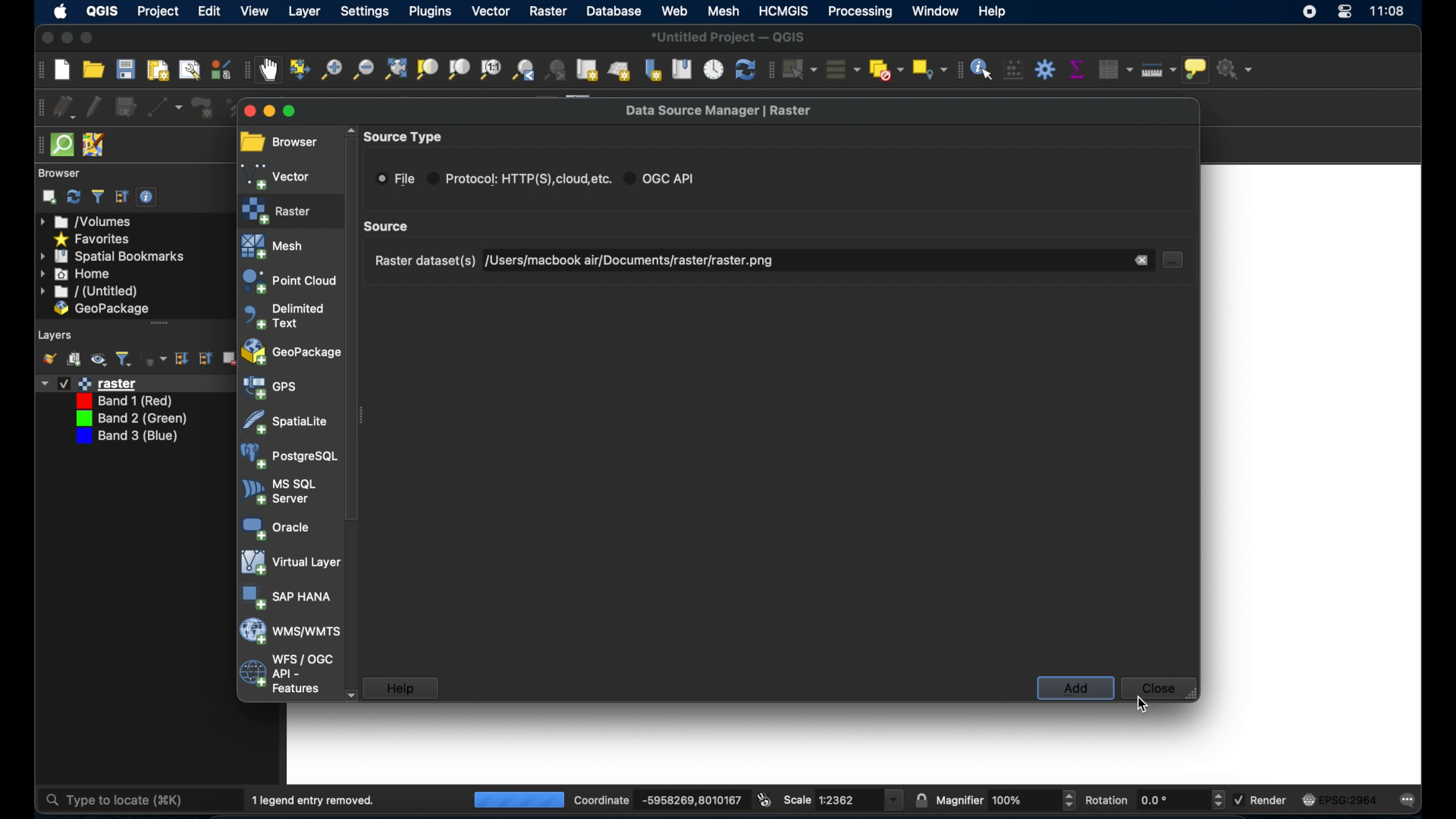 The height and width of the screenshot is (819, 1456). What do you see at coordinates (720, 111) in the screenshot?
I see `data source manager raster` at bounding box center [720, 111].